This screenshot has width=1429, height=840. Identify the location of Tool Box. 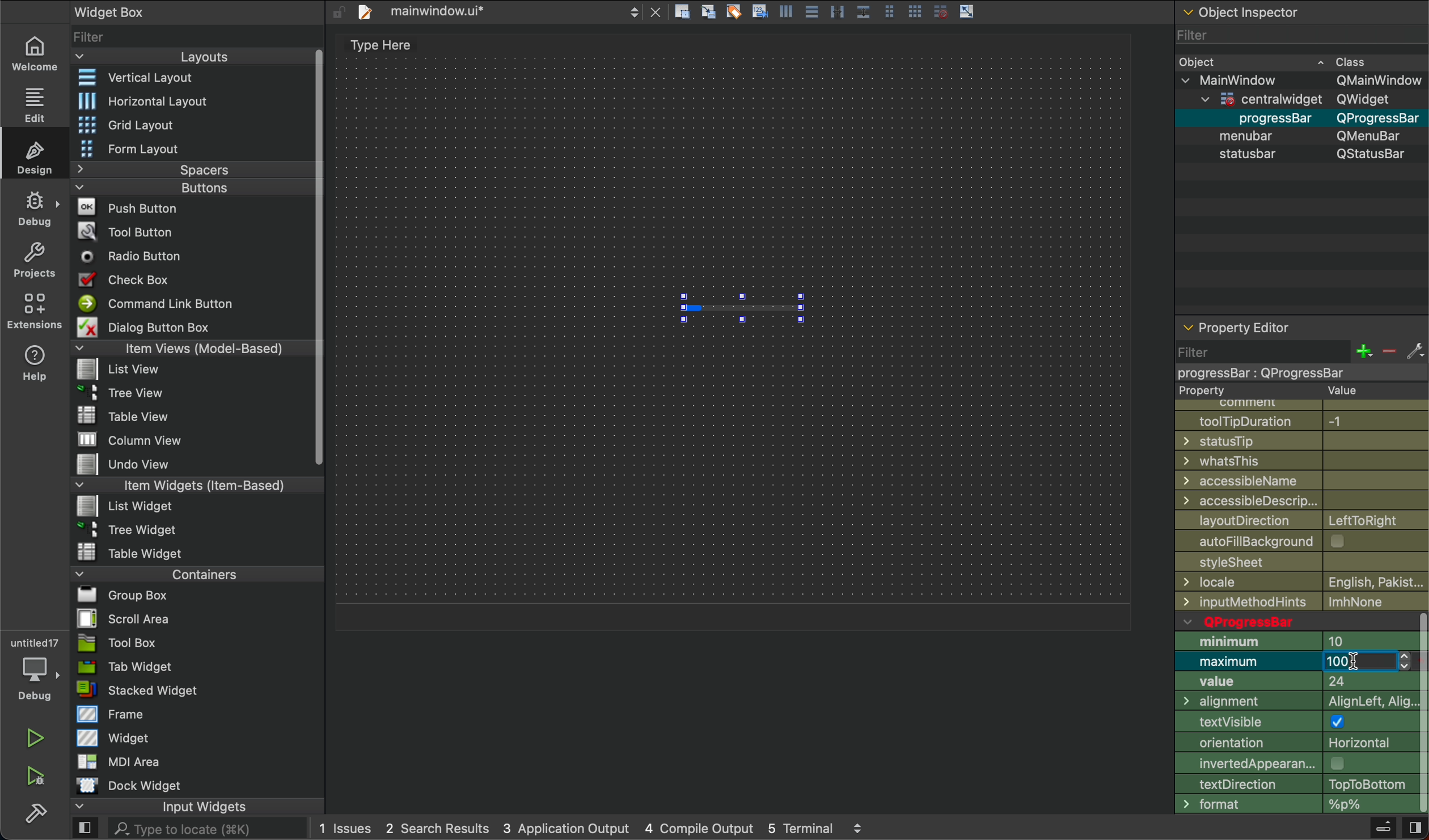
(117, 643).